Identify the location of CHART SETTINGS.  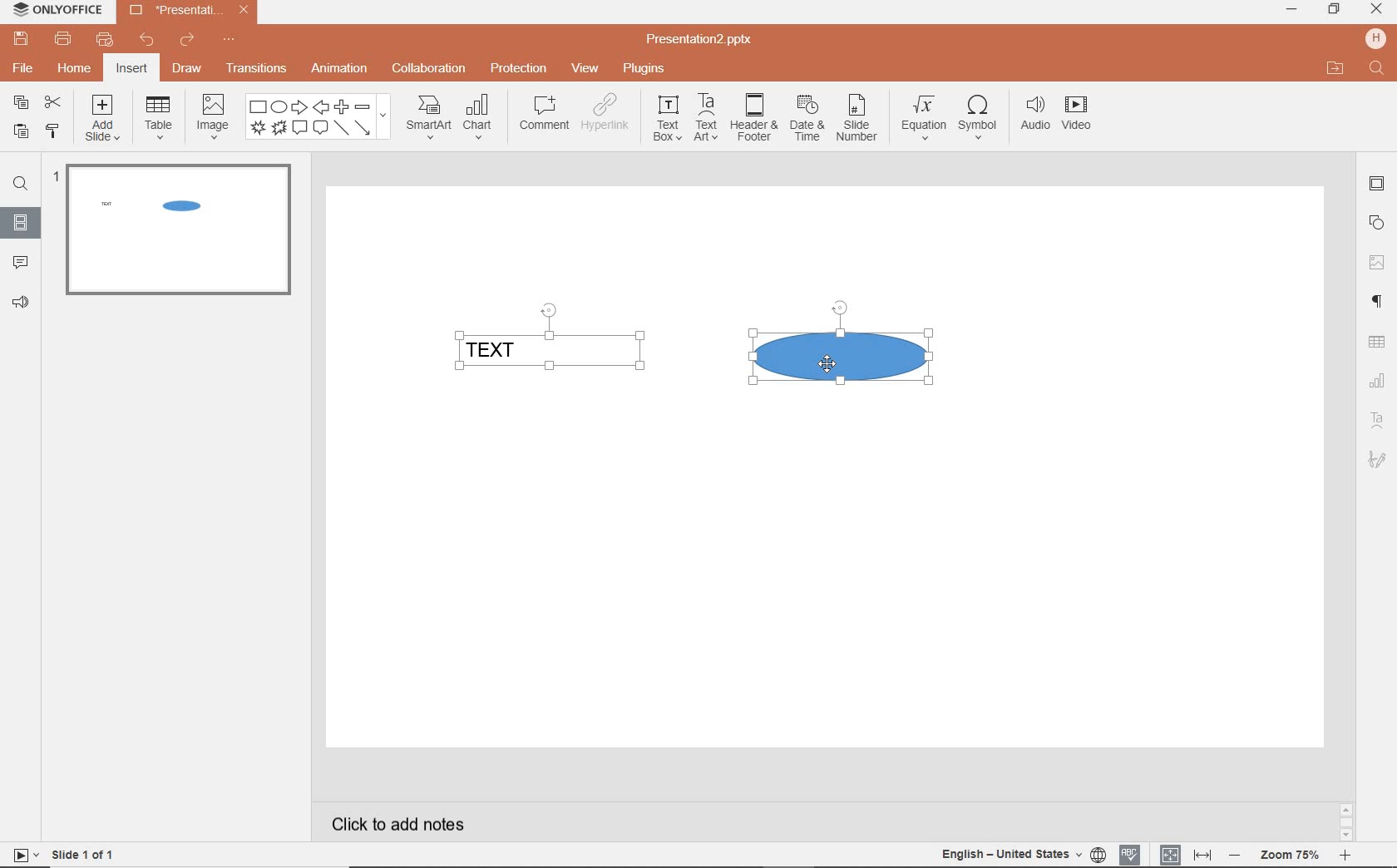
(1378, 382).